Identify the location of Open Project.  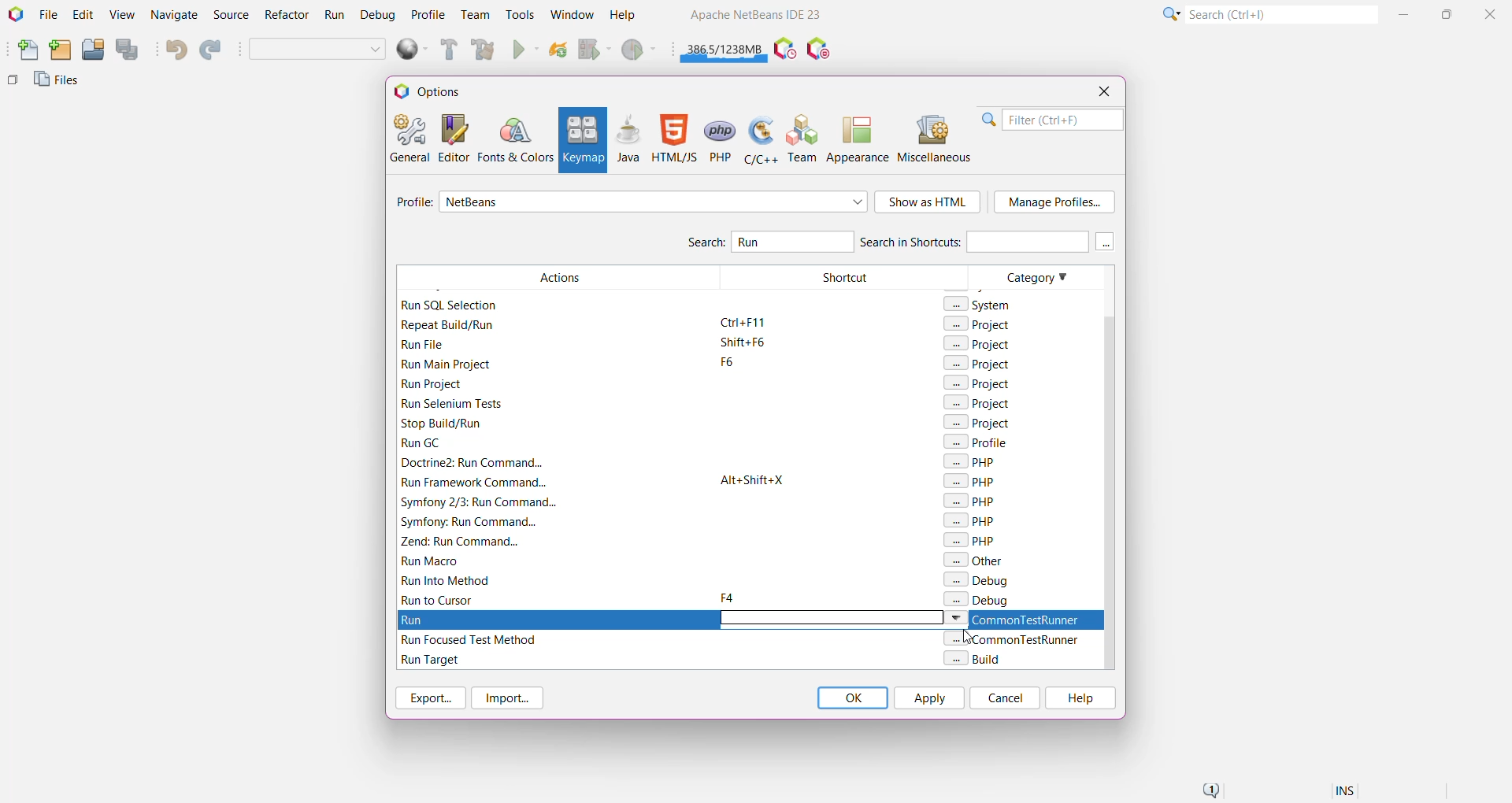
(92, 50).